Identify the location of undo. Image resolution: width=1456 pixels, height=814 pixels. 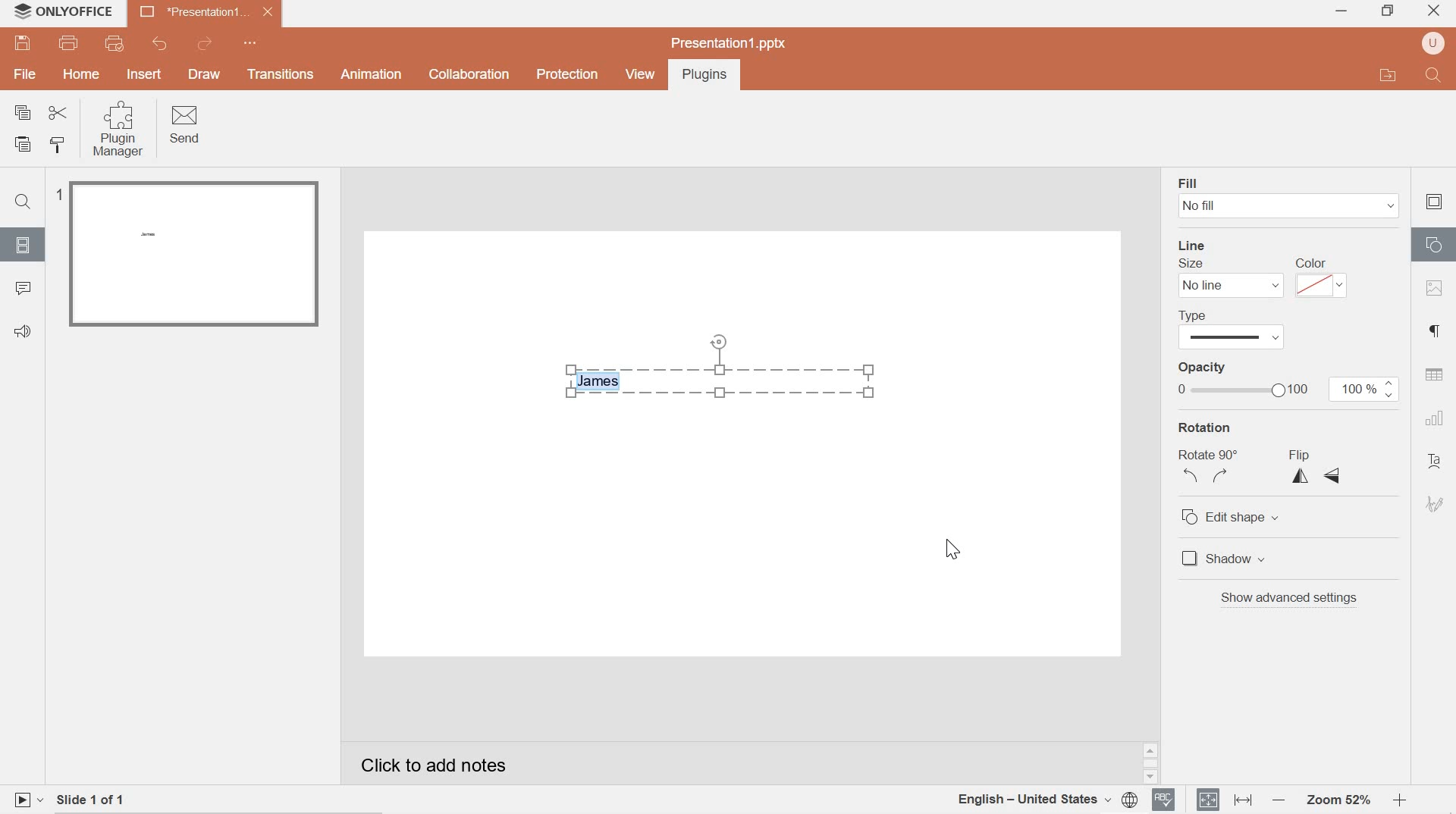
(157, 44).